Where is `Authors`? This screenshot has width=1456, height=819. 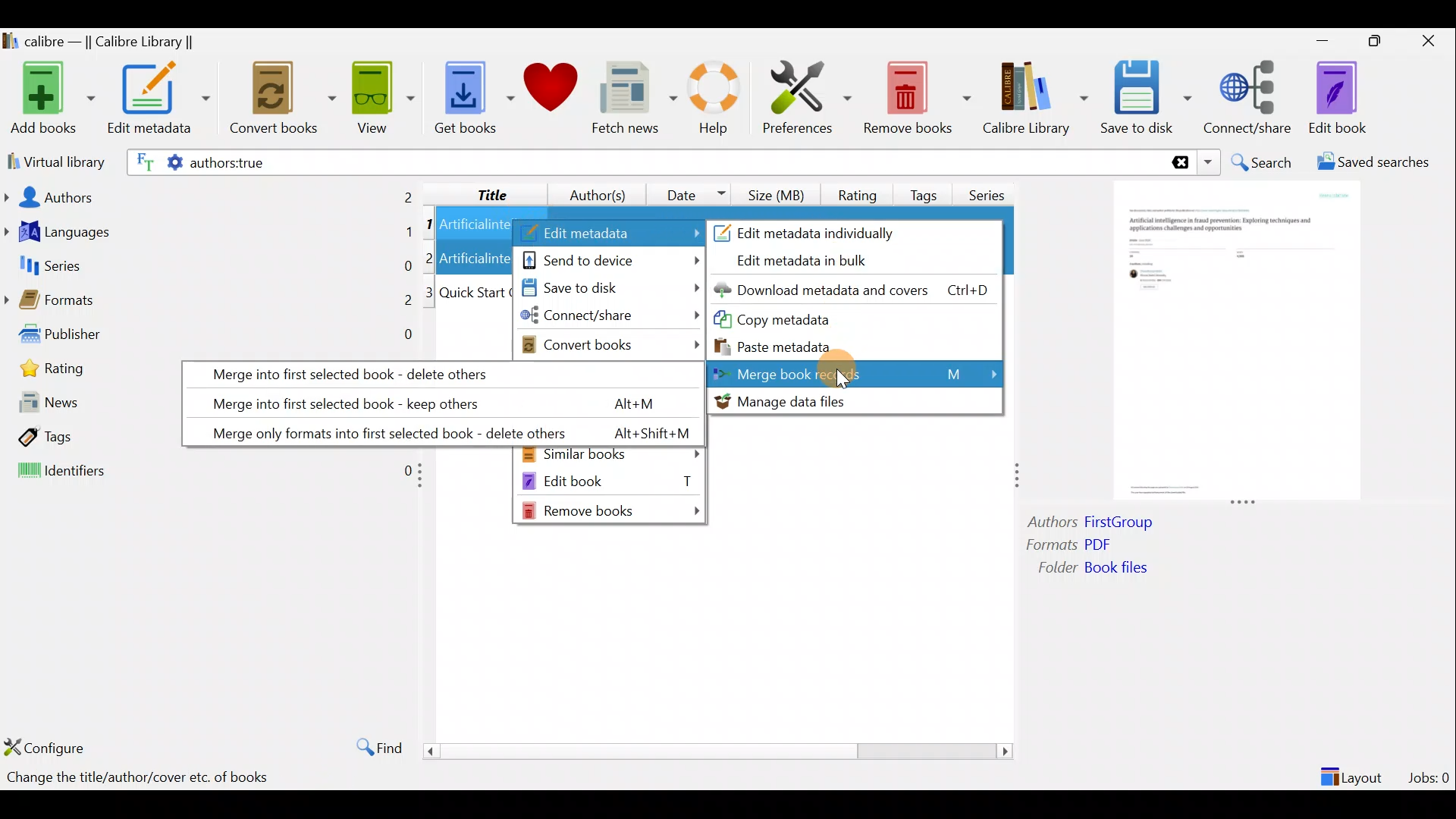 Authors is located at coordinates (210, 196).